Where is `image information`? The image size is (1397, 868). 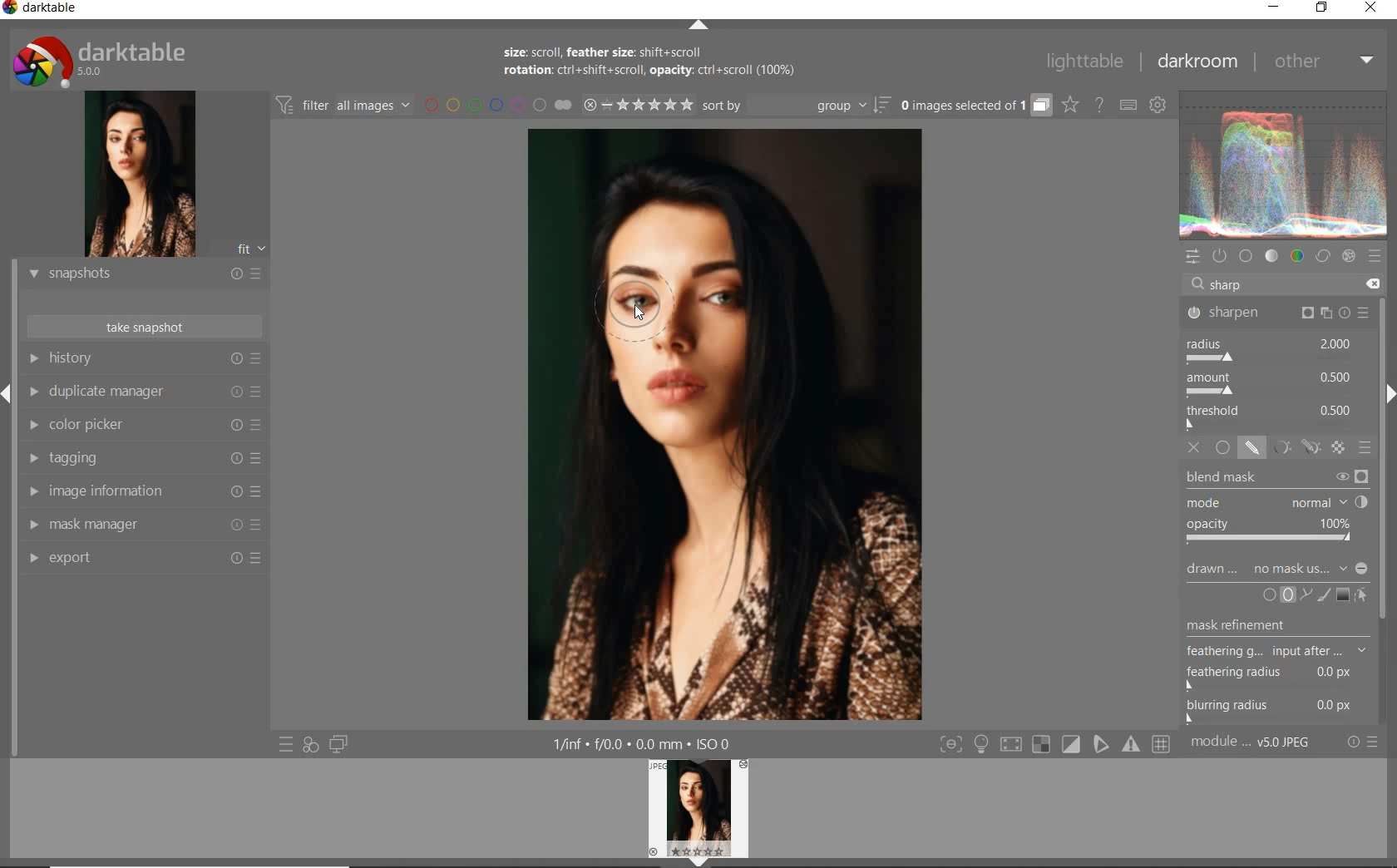
image information is located at coordinates (143, 491).